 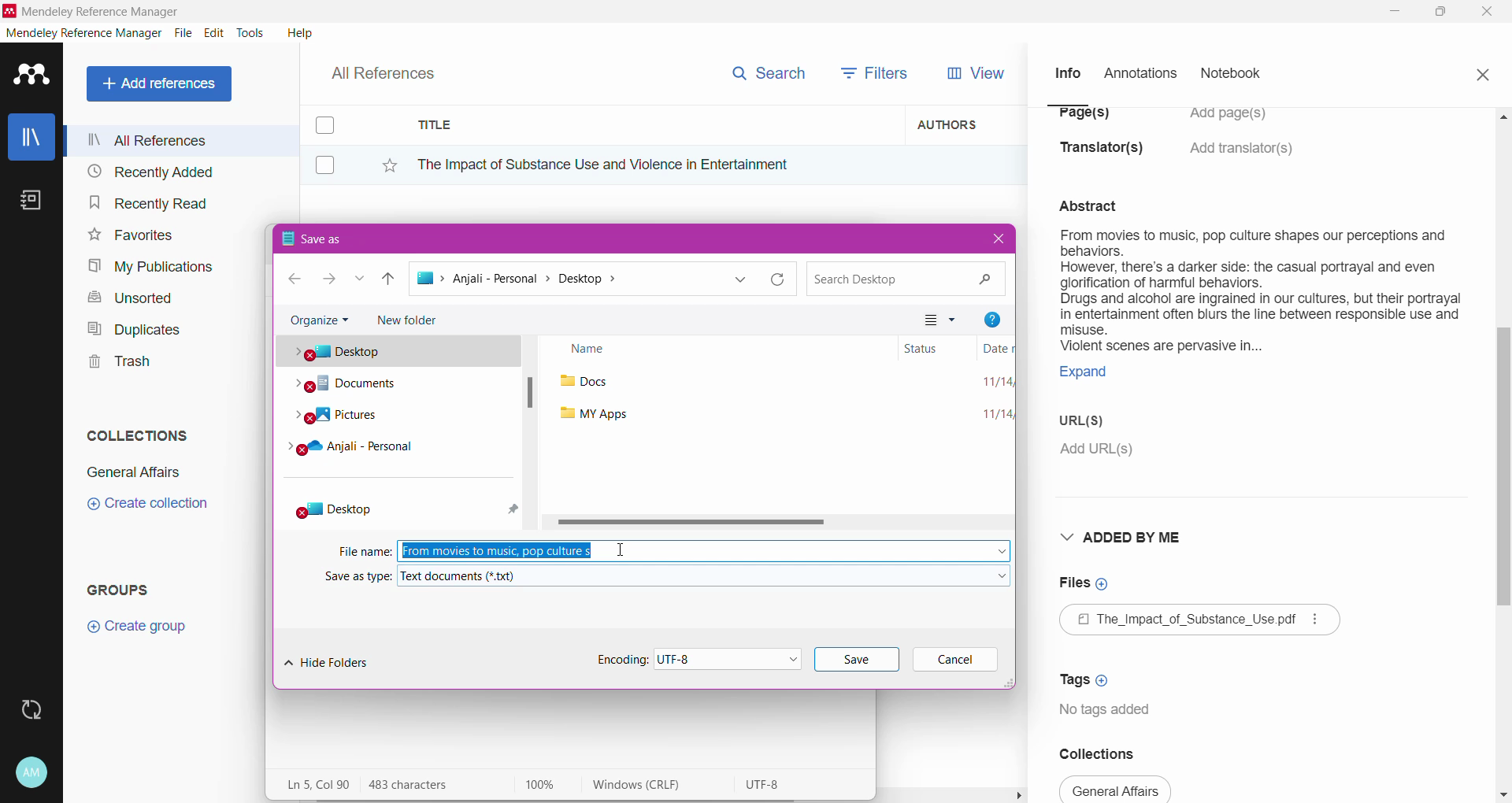 What do you see at coordinates (84, 33) in the screenshot?
I see `Mendeley Reference Manager` at bounding box center [84, 33].